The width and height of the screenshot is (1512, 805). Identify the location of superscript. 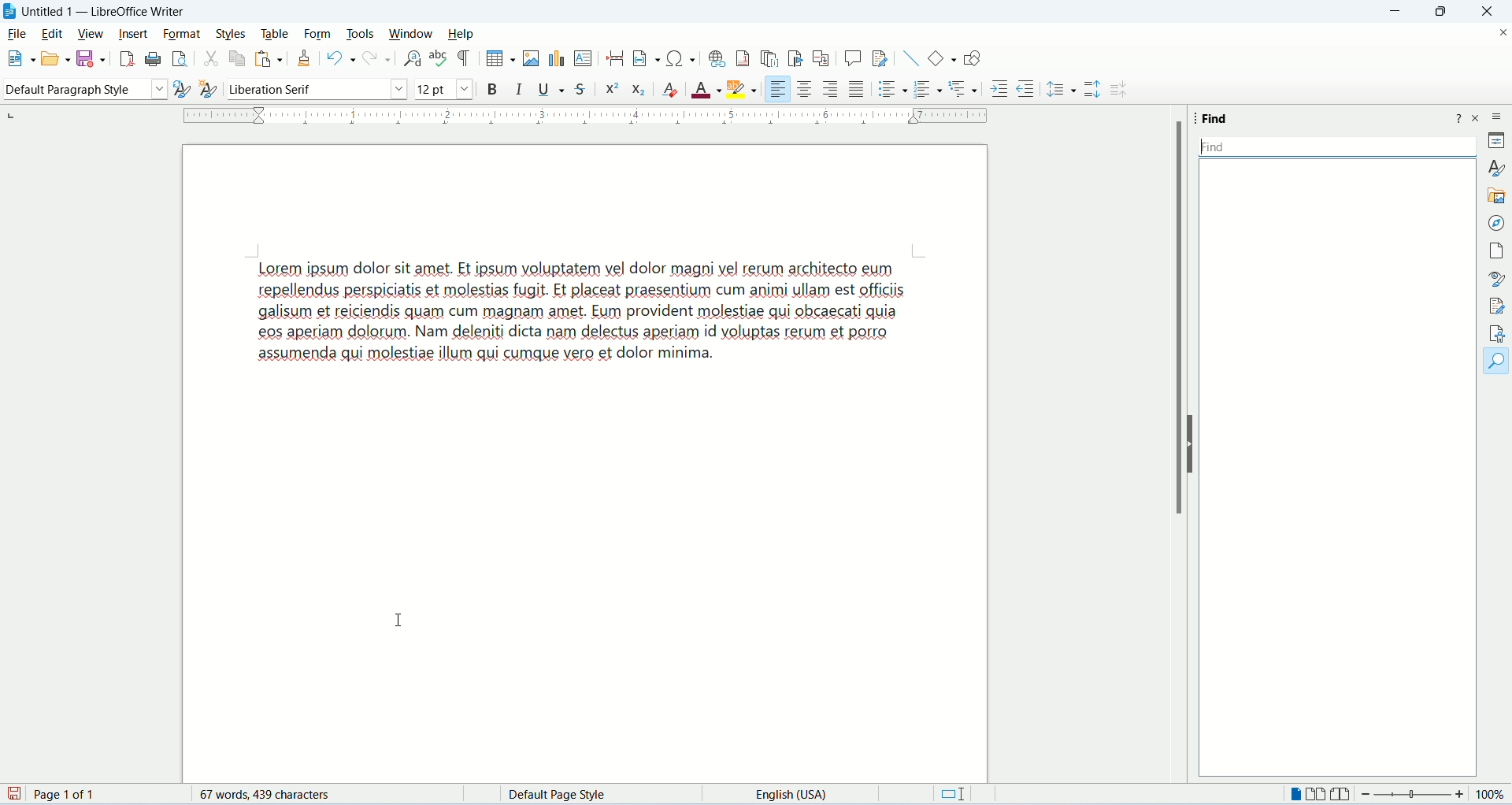
(612, 89).